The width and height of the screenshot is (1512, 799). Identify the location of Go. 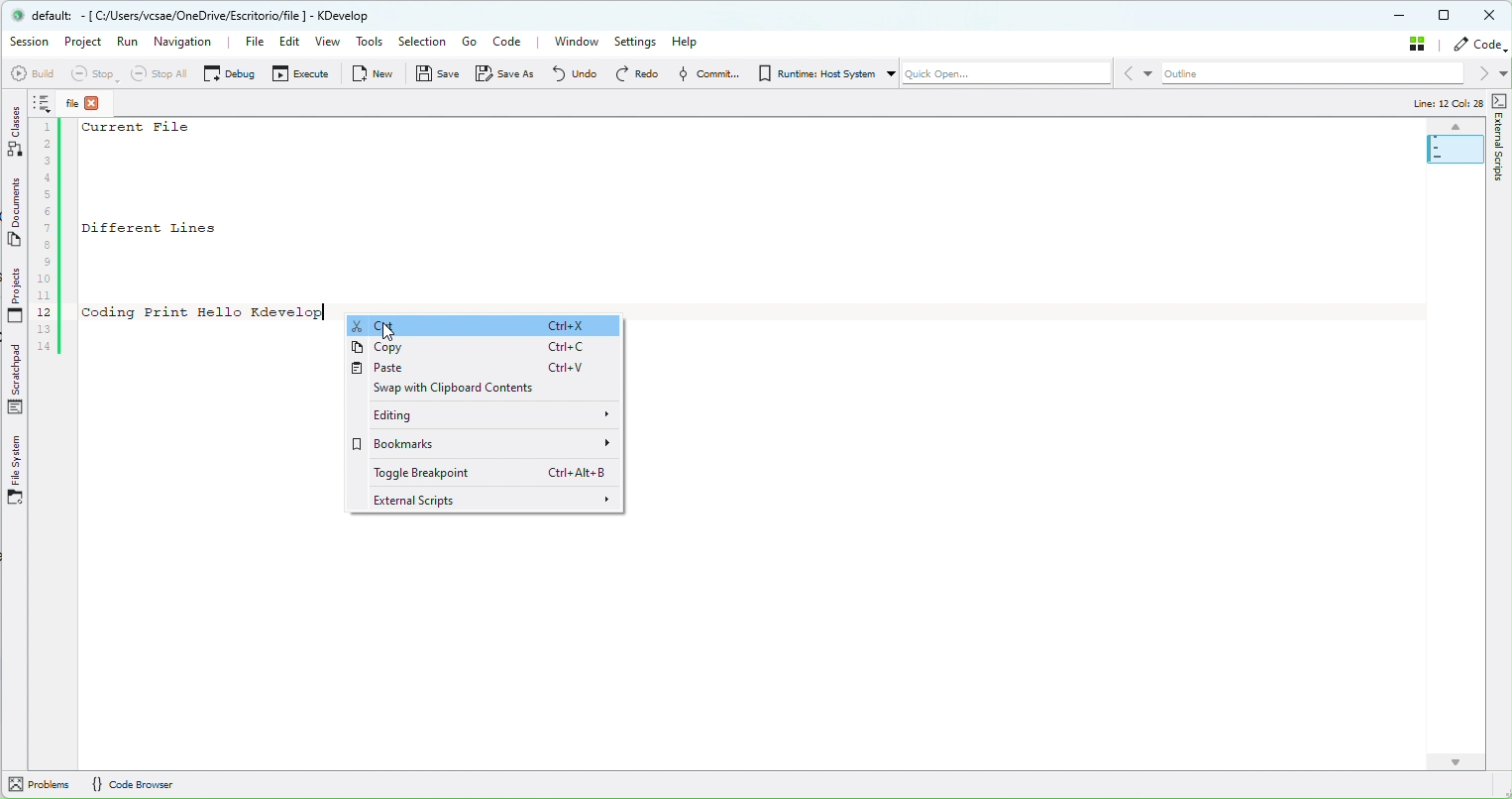
(470, 43).